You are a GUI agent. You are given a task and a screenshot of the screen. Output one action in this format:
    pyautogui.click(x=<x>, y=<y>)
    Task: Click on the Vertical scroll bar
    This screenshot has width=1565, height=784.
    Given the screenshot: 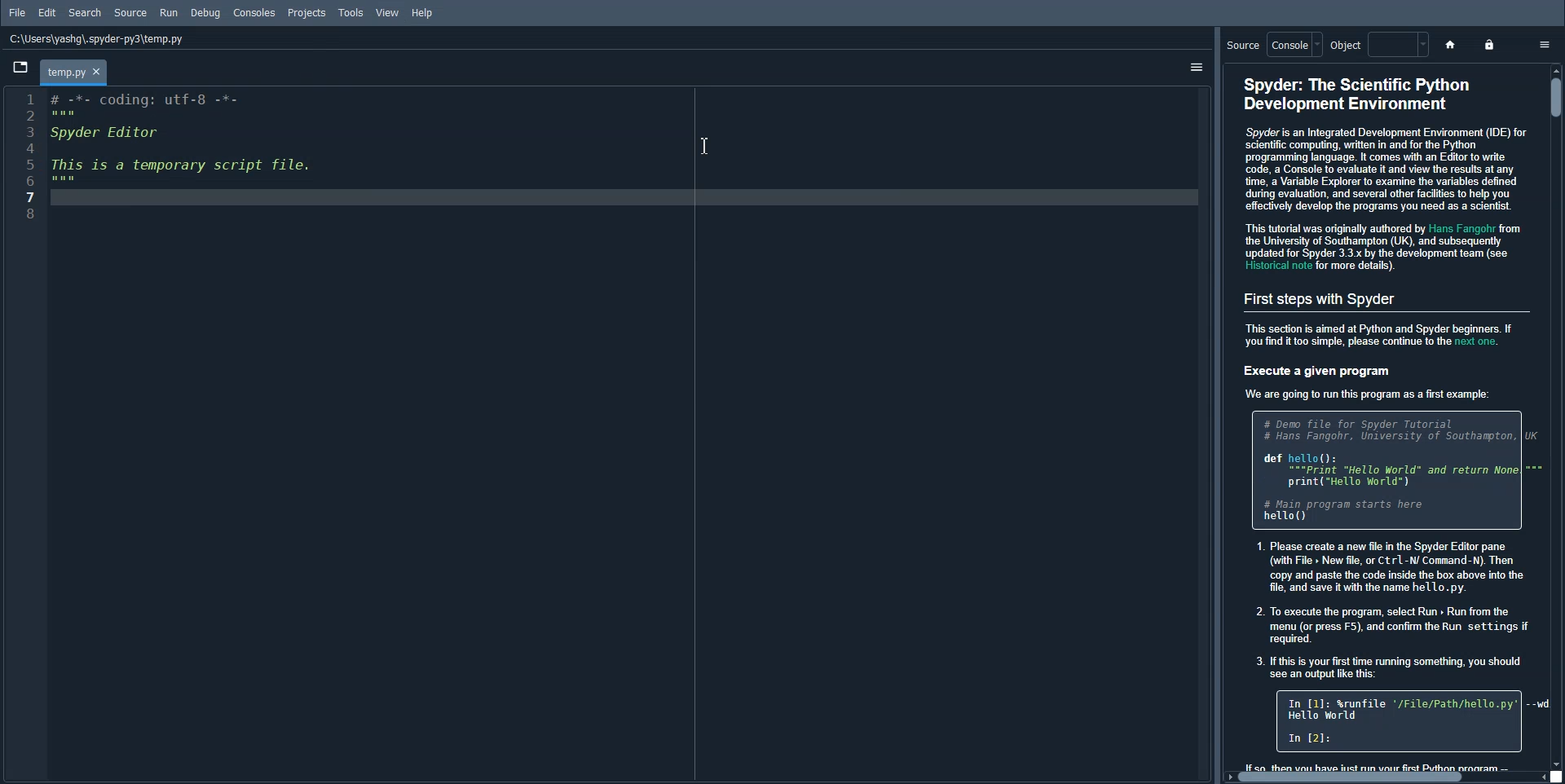 What is the action you would take?
    pyautogui.click(x=1555, y=98)
    